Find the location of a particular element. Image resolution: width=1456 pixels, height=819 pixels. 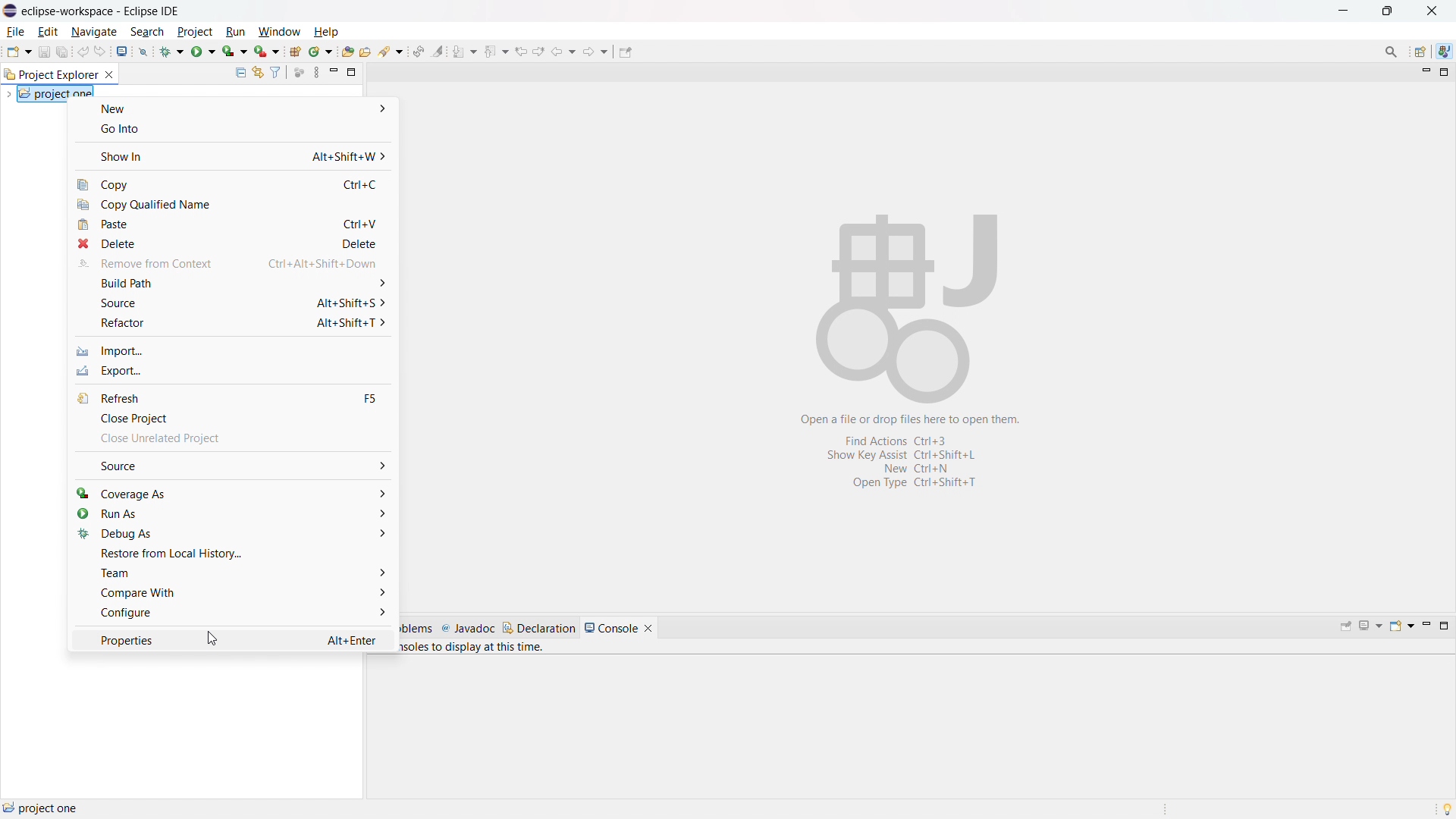

source is located at coordinates (231, 303).